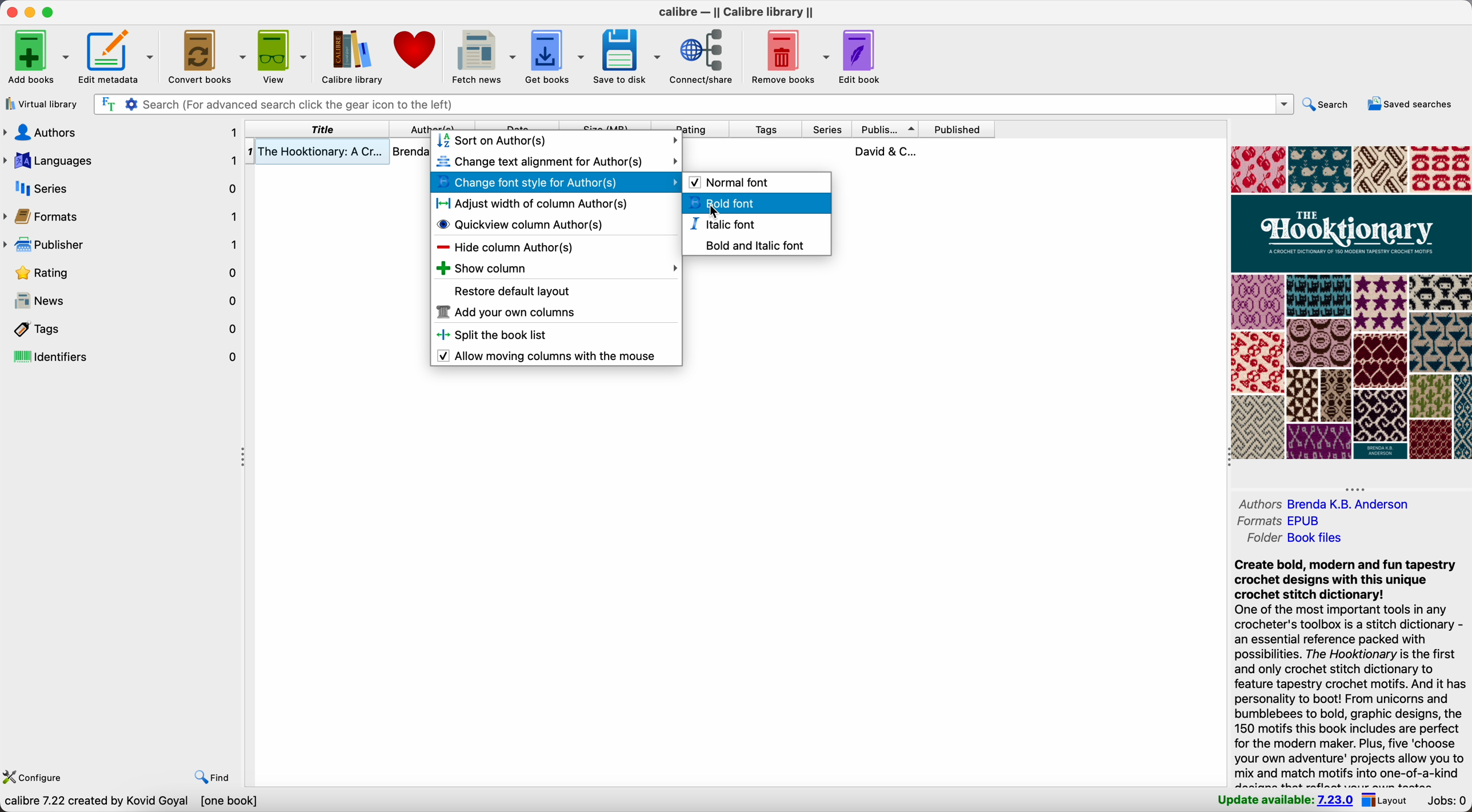 The height and width of the screenshot is (812, 1472). Describe the element at coordinates (34, 57) in the screenshot. I see `add books` at that location.